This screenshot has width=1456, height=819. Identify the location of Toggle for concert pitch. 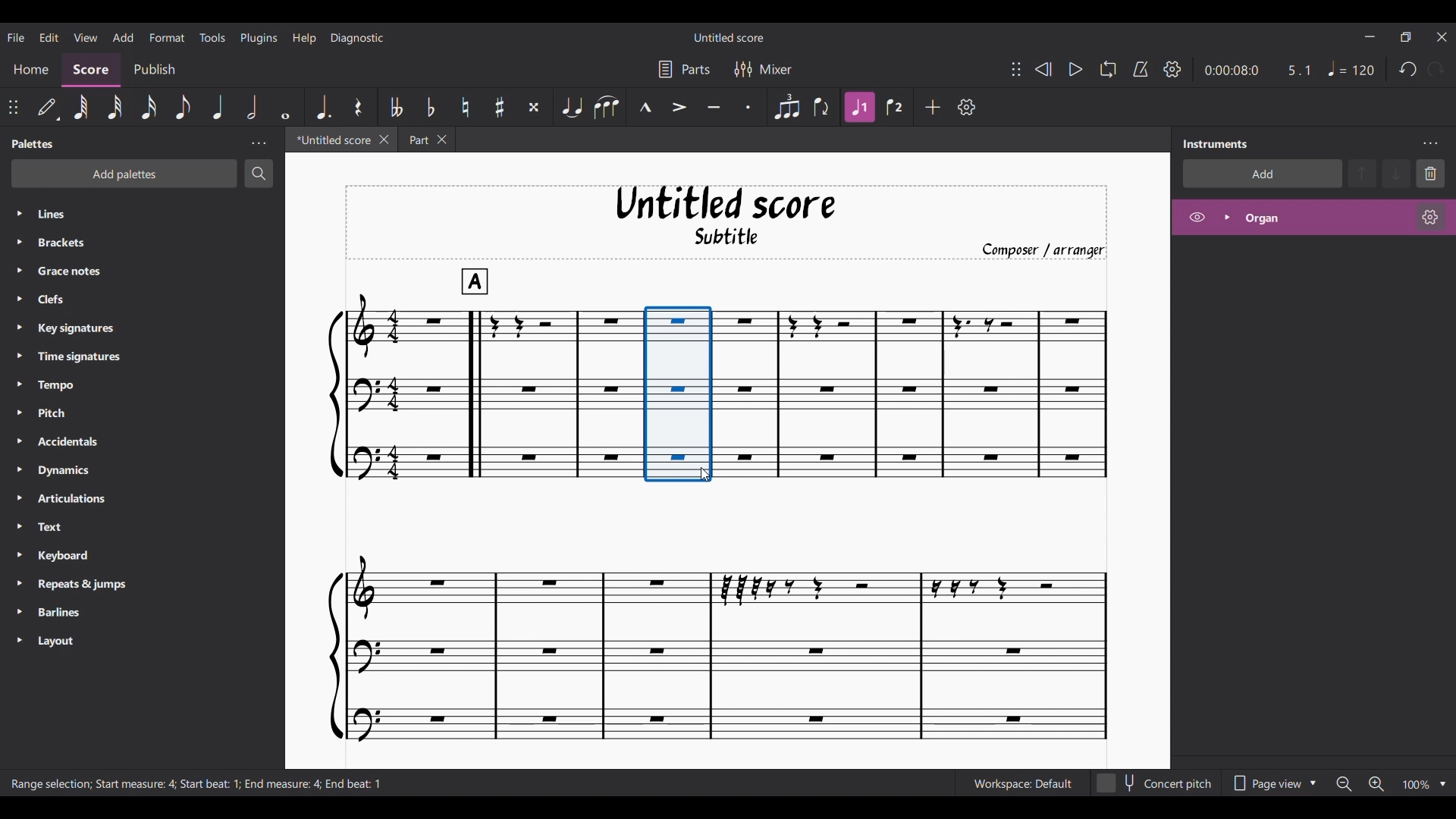
(1155, 783).